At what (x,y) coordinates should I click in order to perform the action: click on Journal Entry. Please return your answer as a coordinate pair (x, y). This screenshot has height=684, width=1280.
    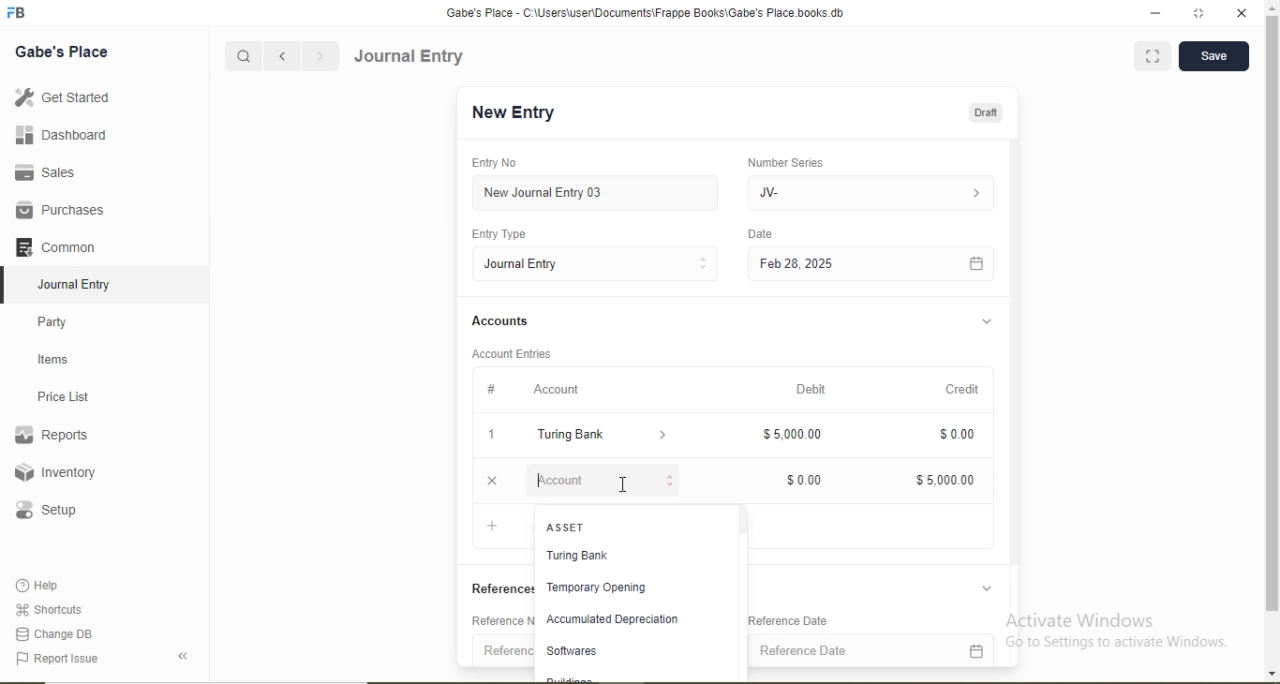
    Looking at the image, I should click on (410, 56).